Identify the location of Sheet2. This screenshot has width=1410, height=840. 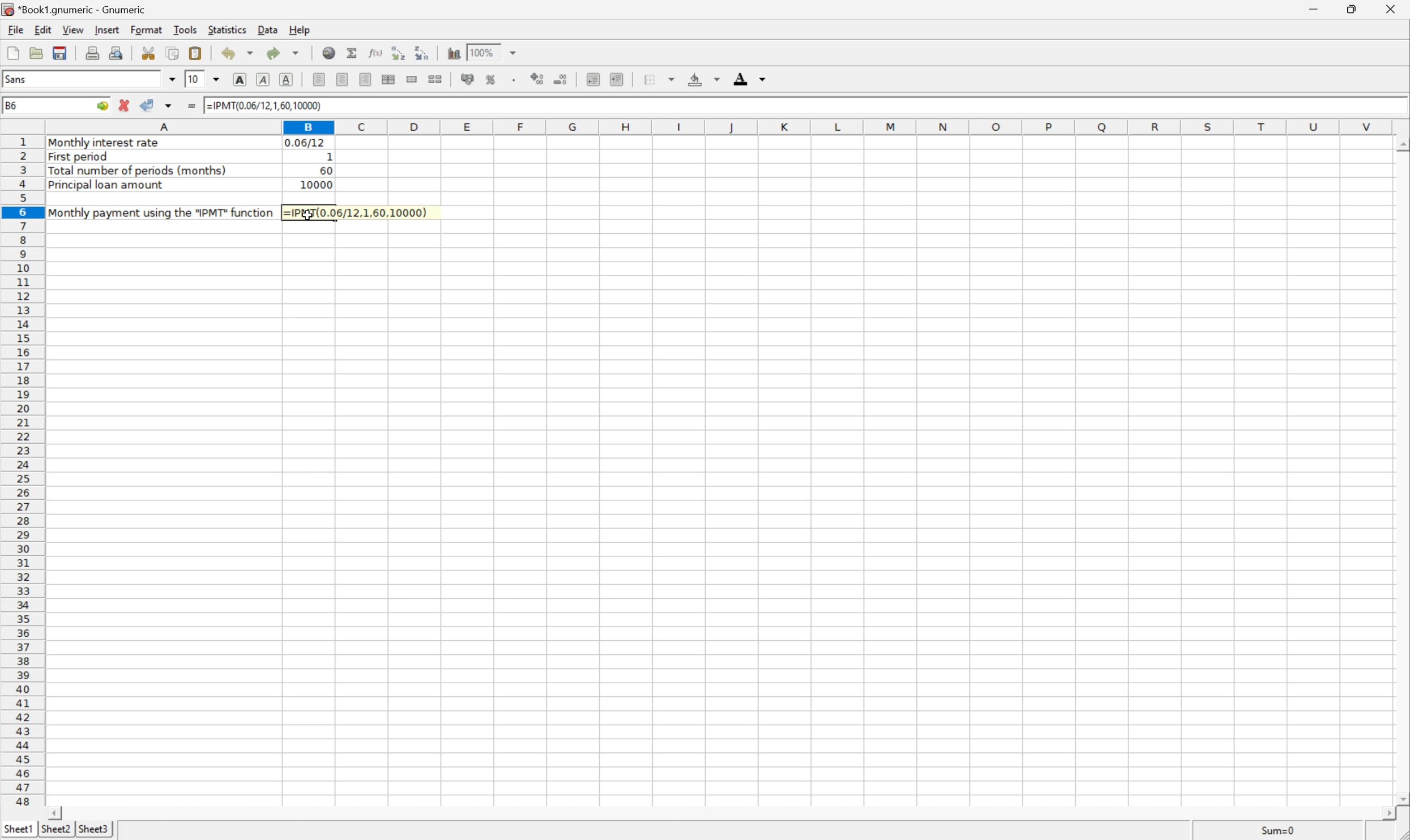
(57, 829).